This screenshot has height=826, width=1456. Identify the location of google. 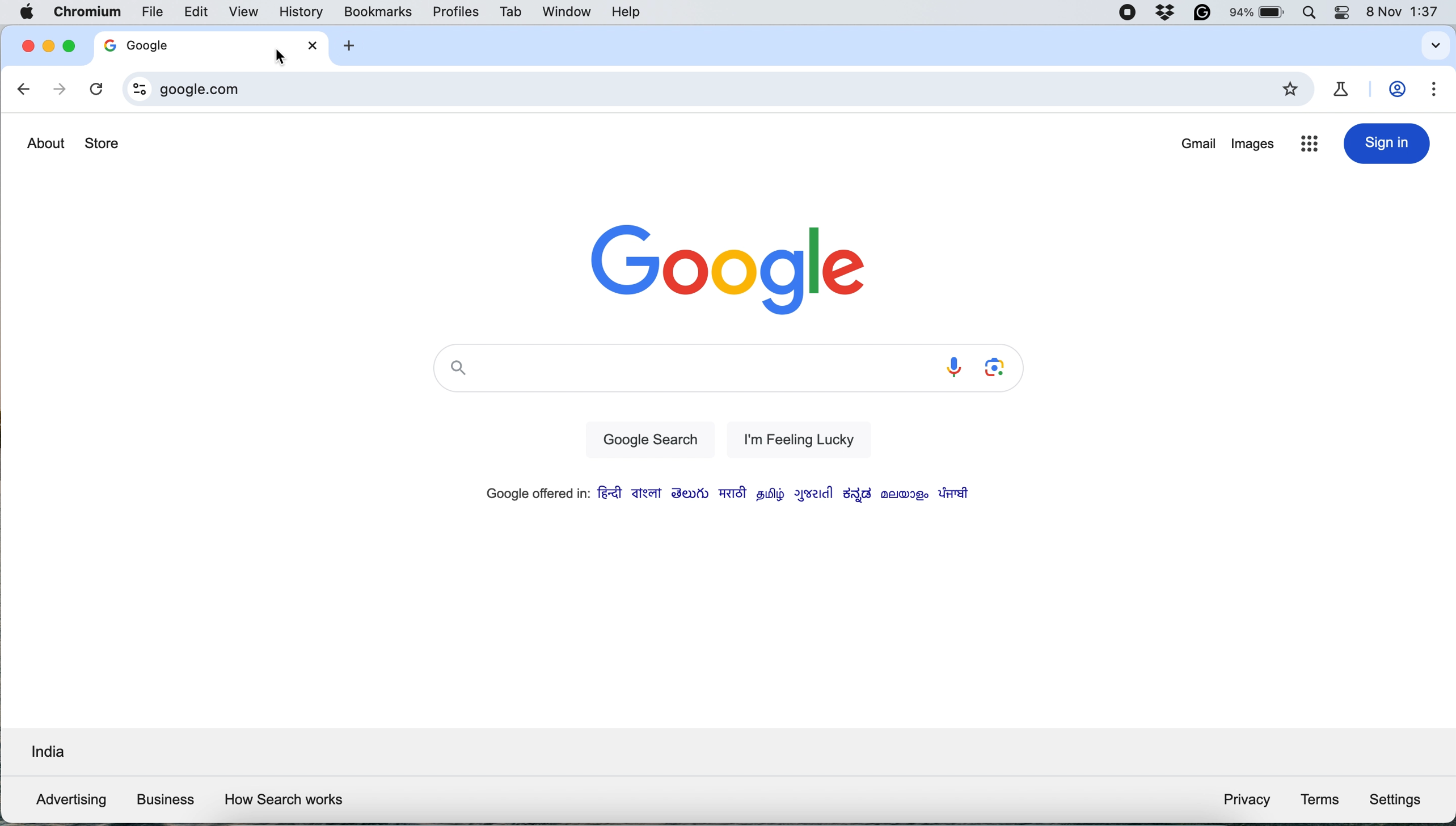
(729, 266).